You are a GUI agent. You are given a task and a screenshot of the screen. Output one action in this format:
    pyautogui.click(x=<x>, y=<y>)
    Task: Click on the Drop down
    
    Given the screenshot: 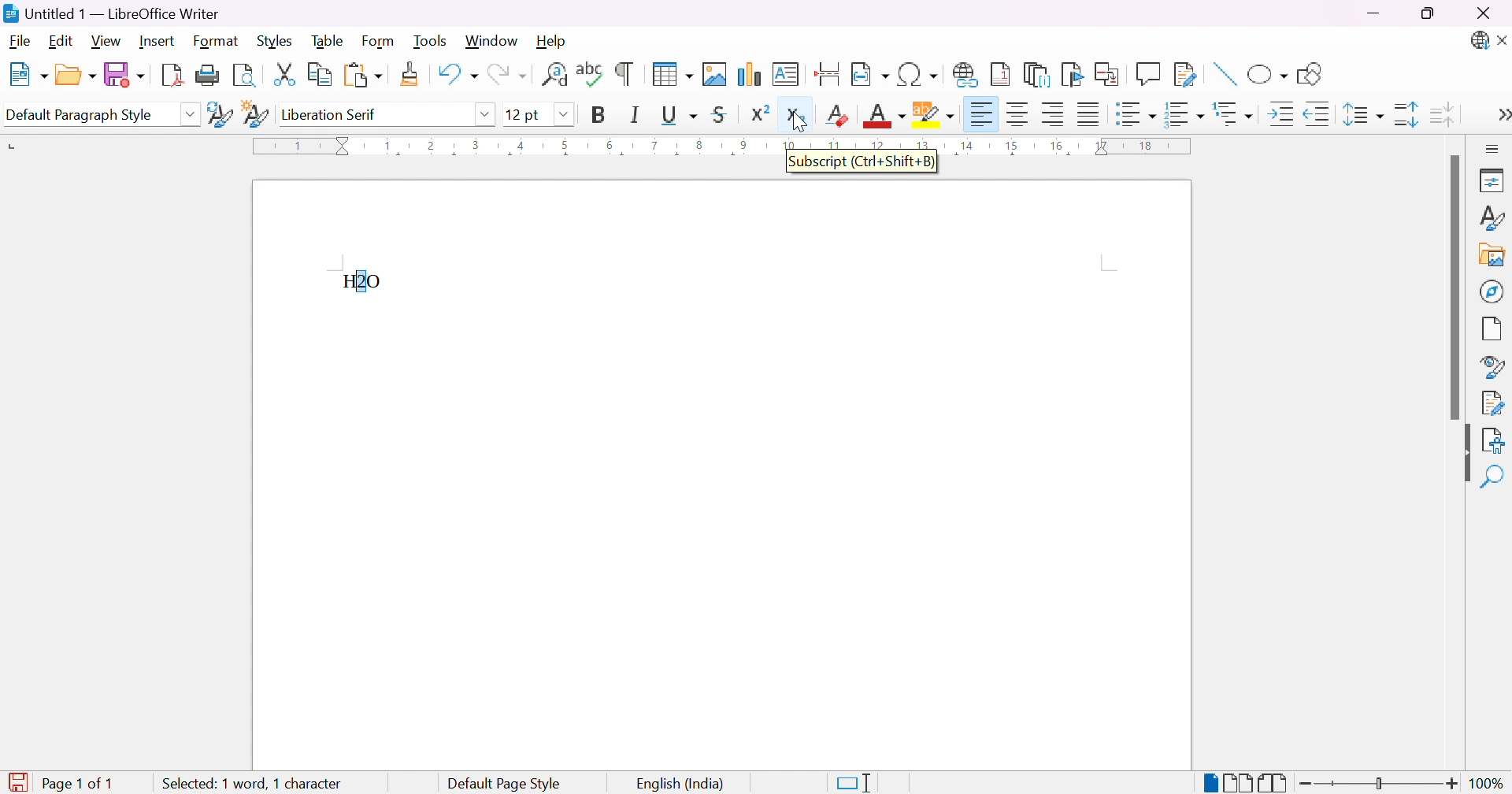 What is the action you would take?
    pyautogui.click(x=190, y=114)
    